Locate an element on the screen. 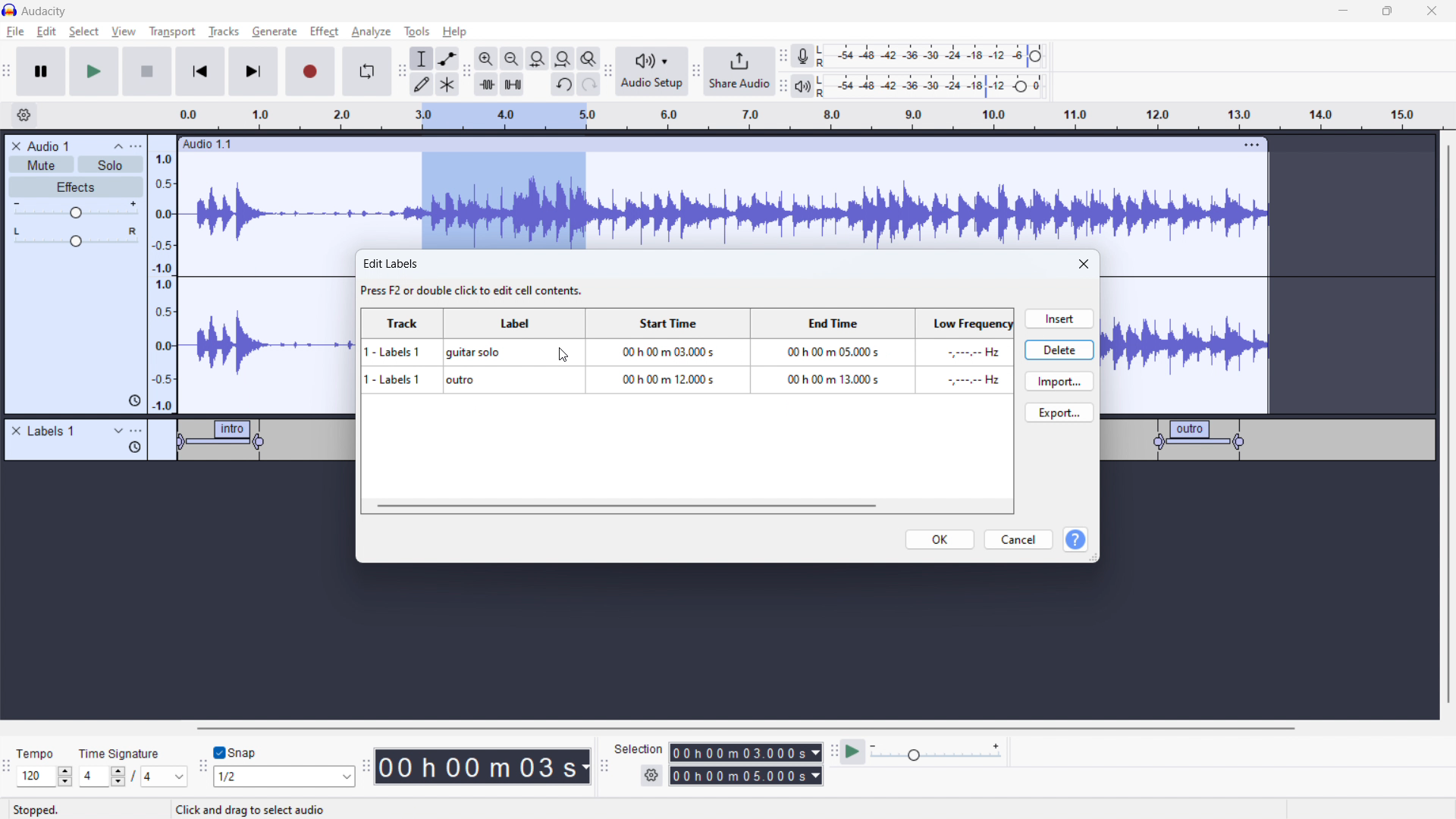 Image resolution: width=1456 pixels, height=819 pixels. low frequency is located at coordinates (962, 366).